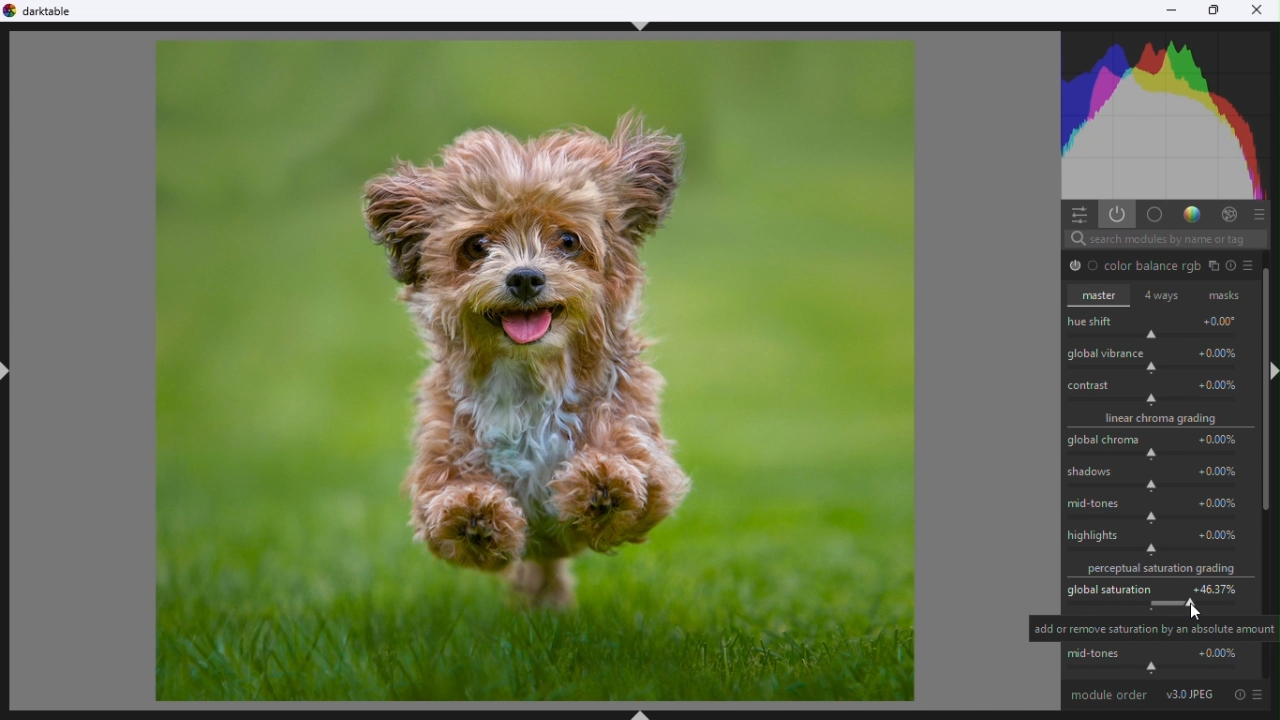 This screenshot has width=1280, height=720. Describe the element at coordinates (1110, 697) in the screenshot. I see `Module order` at that location.